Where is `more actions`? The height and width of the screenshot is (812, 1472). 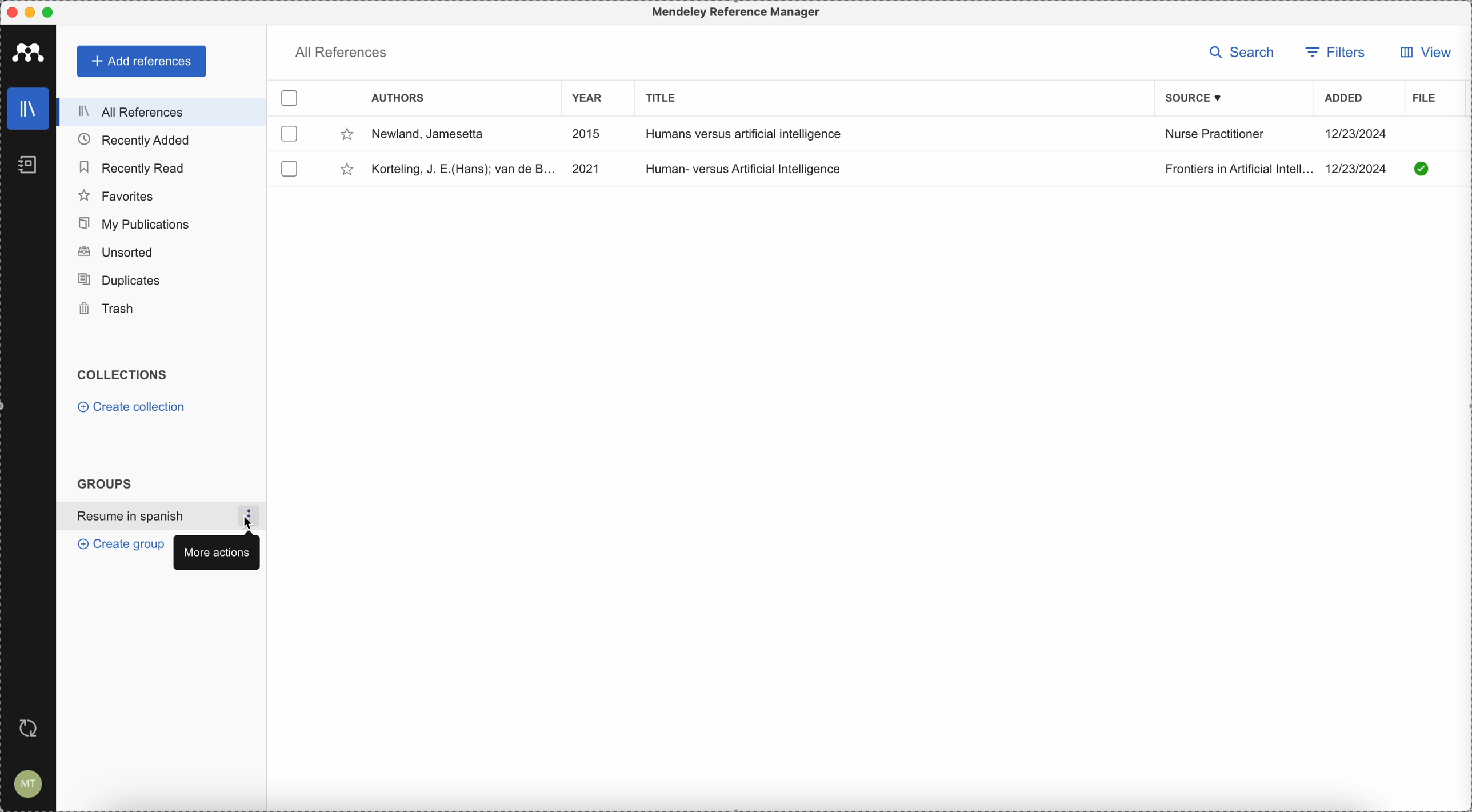
more actions is located at coordinates (215, 551).